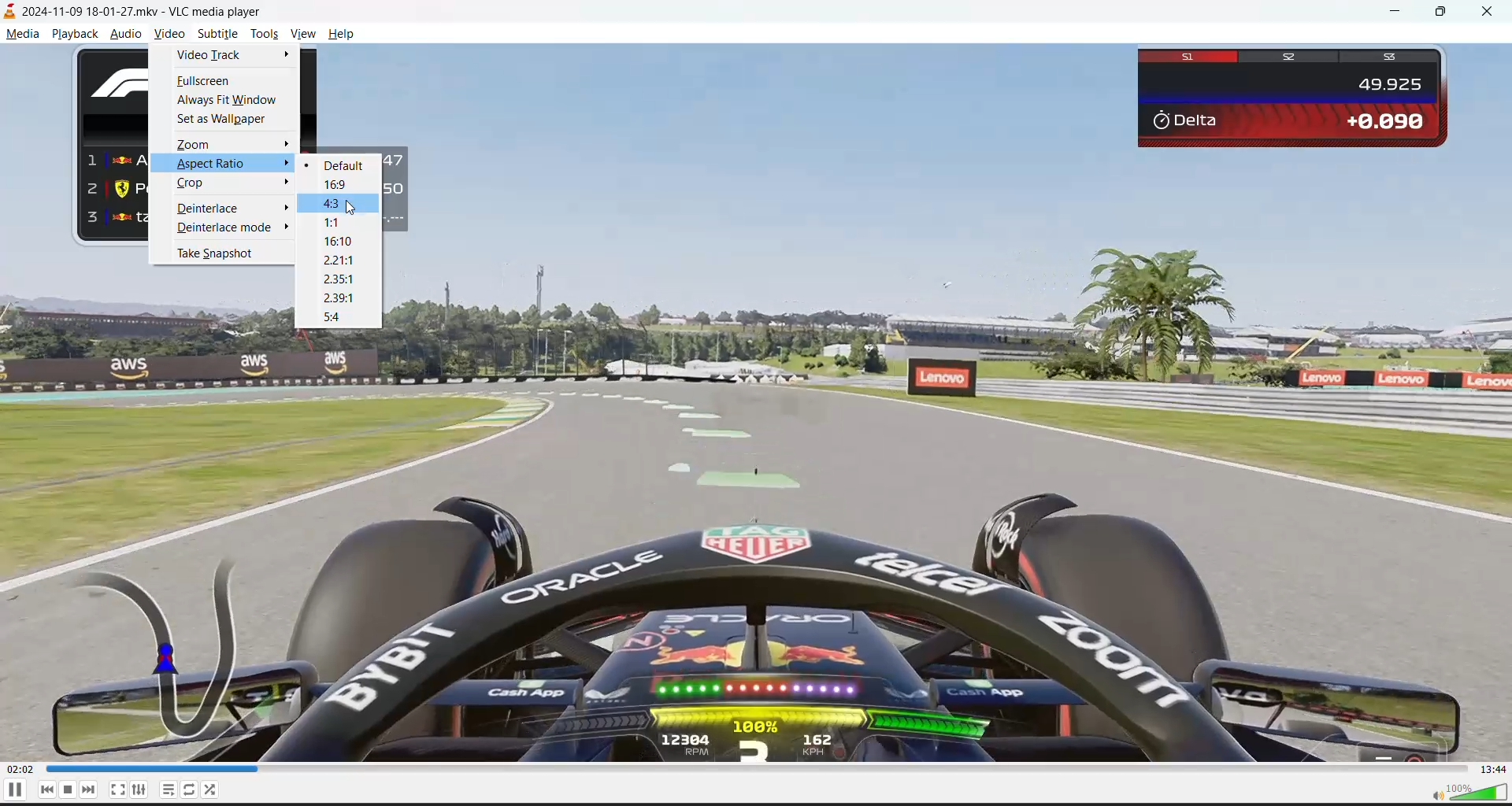  What do you see at coordinates (228, 120) in the screenshot?
I see `set as wallpaper` at bounding box center [228, 120].